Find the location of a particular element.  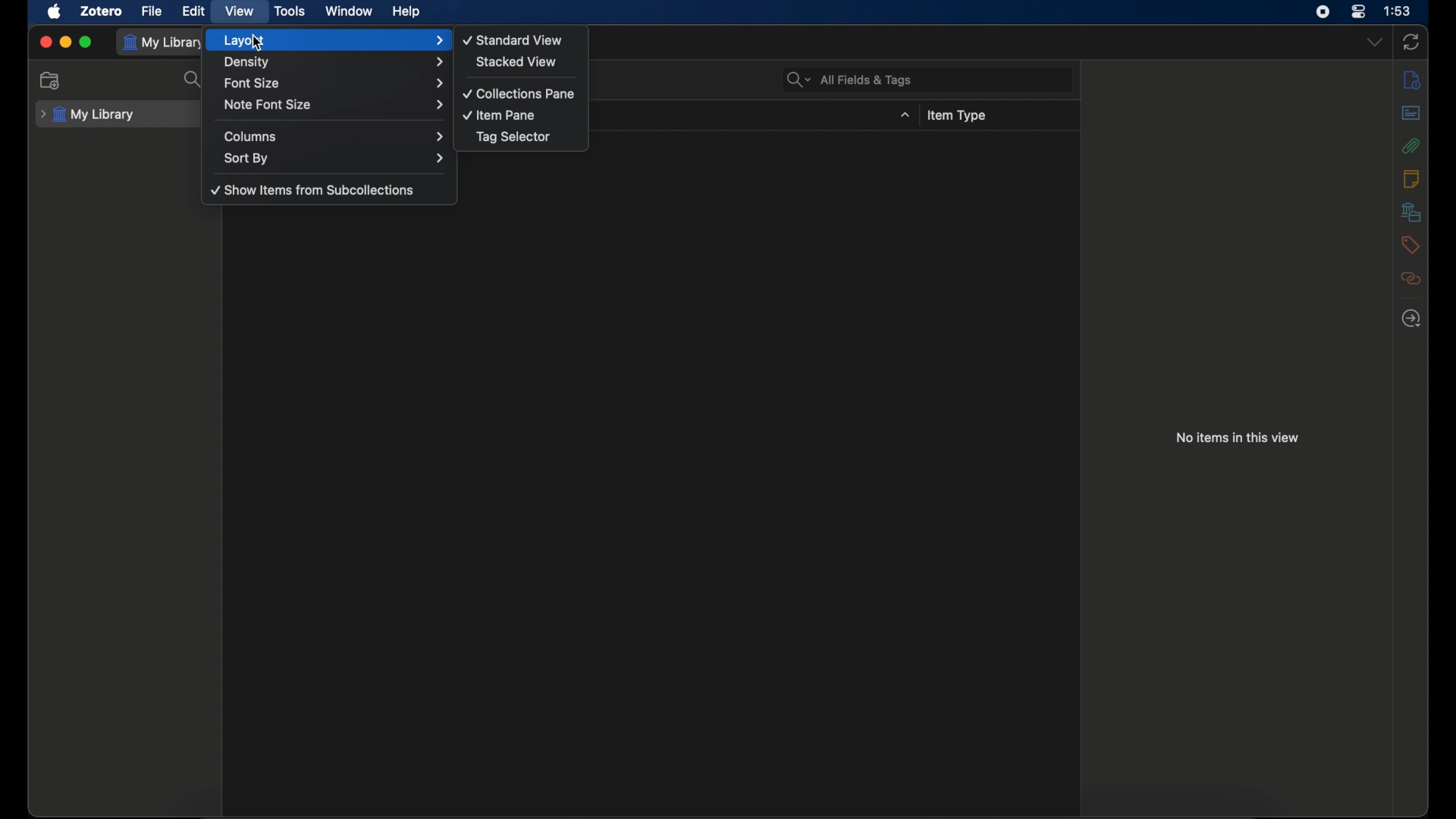

notes is located at coordinates (1410, 178).